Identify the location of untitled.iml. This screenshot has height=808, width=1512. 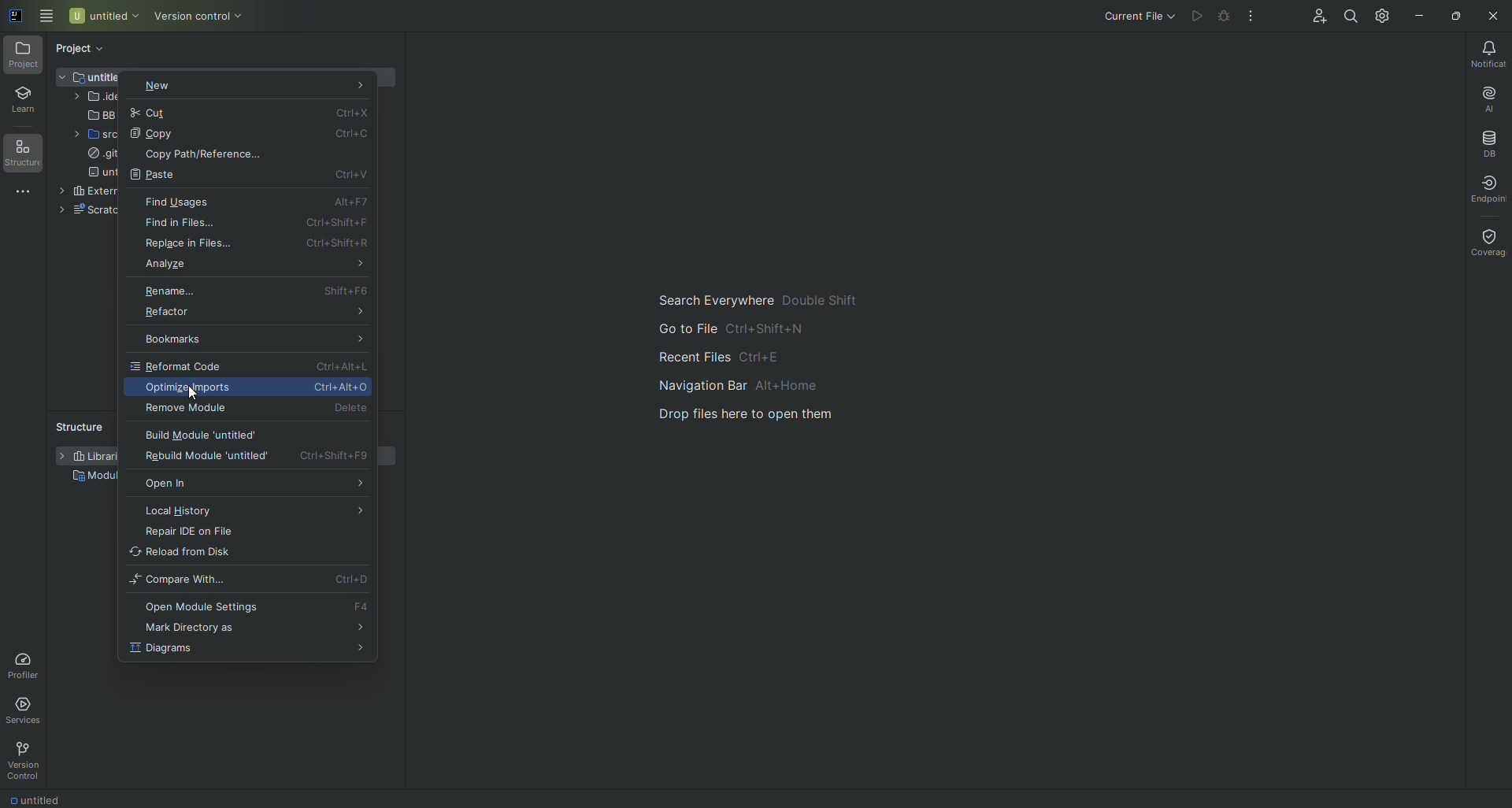
(104, 173).